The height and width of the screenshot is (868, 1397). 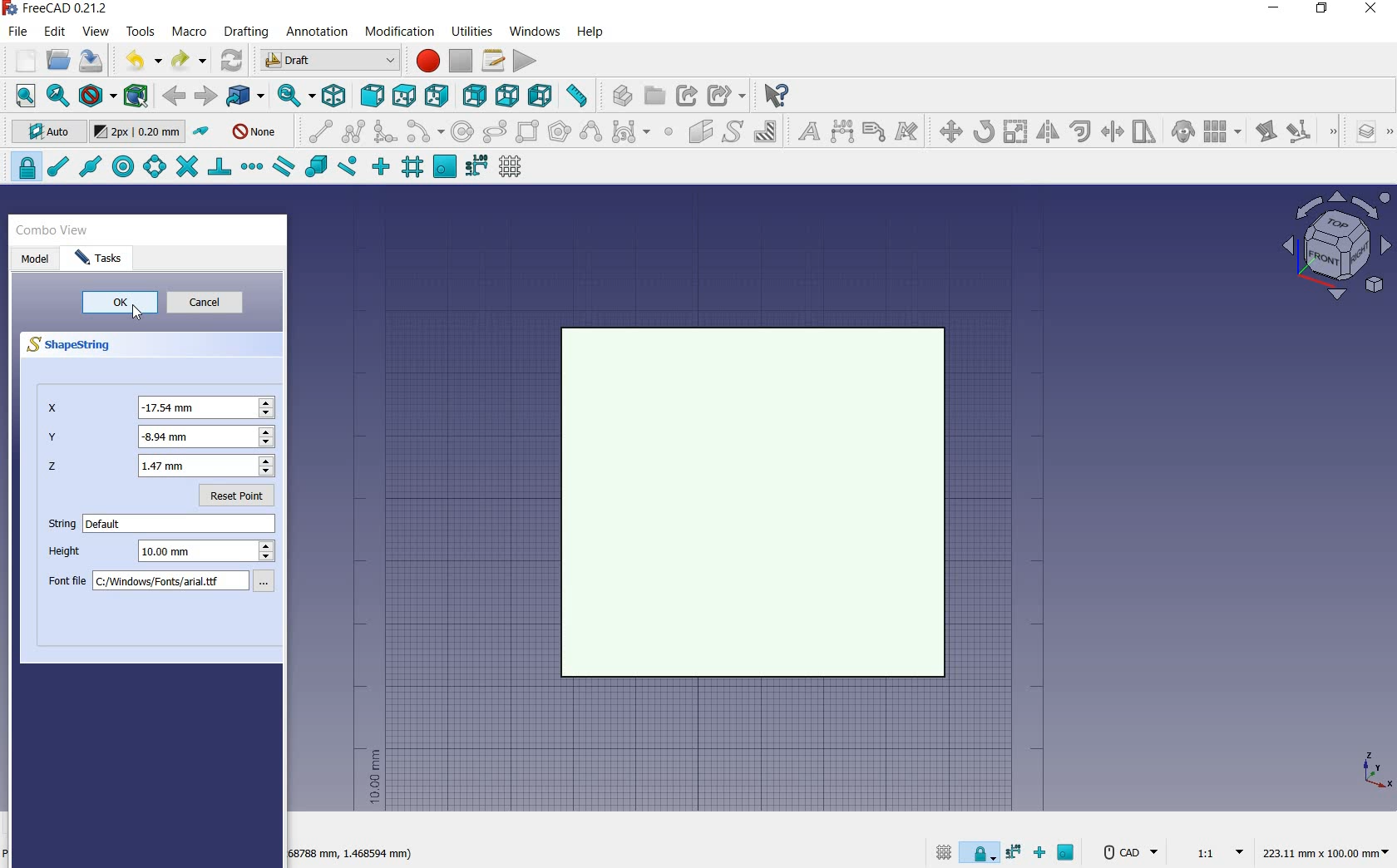 I want to click on reset point, so click(x=240, y=499).